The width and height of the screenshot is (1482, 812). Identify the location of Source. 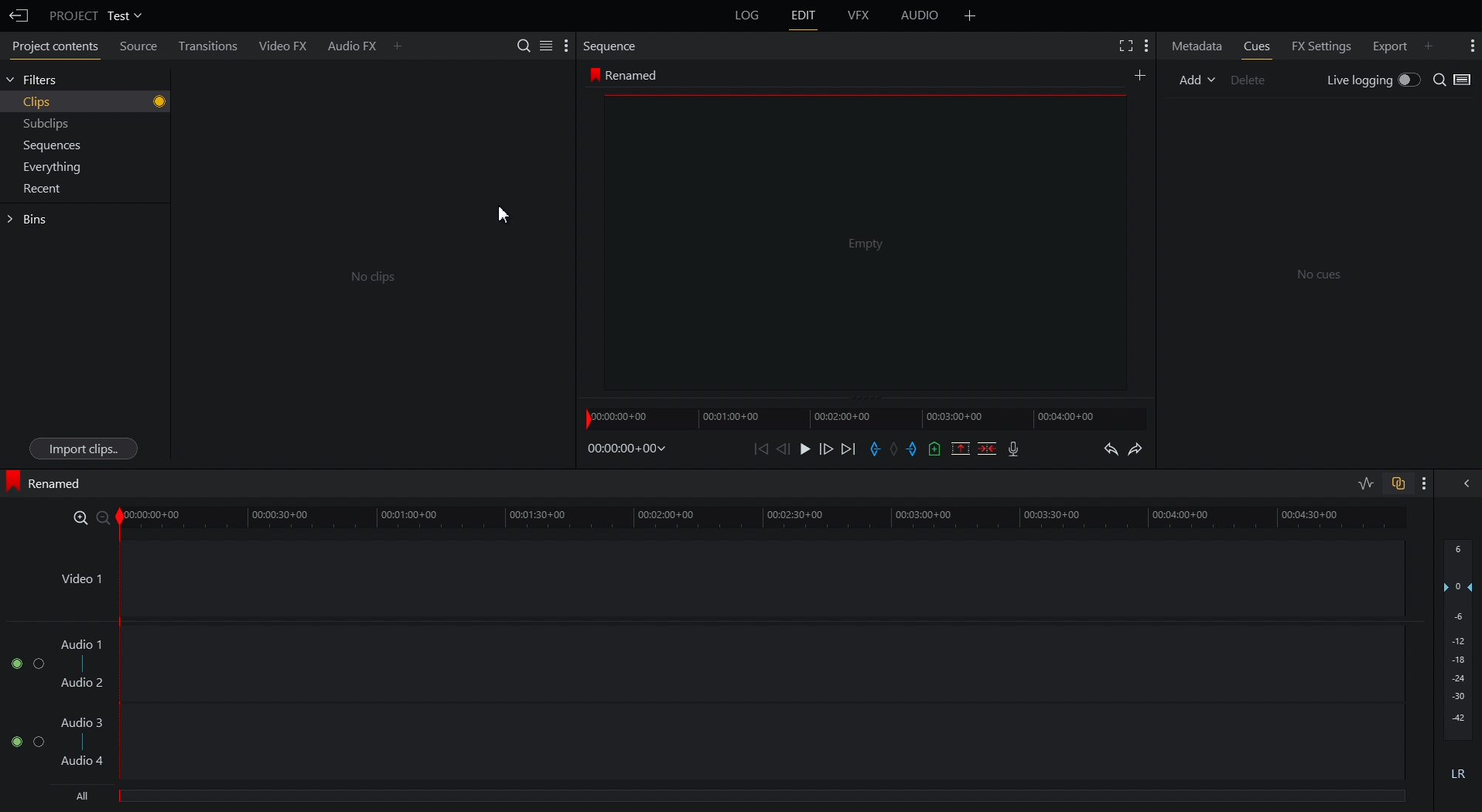
(139, 47).